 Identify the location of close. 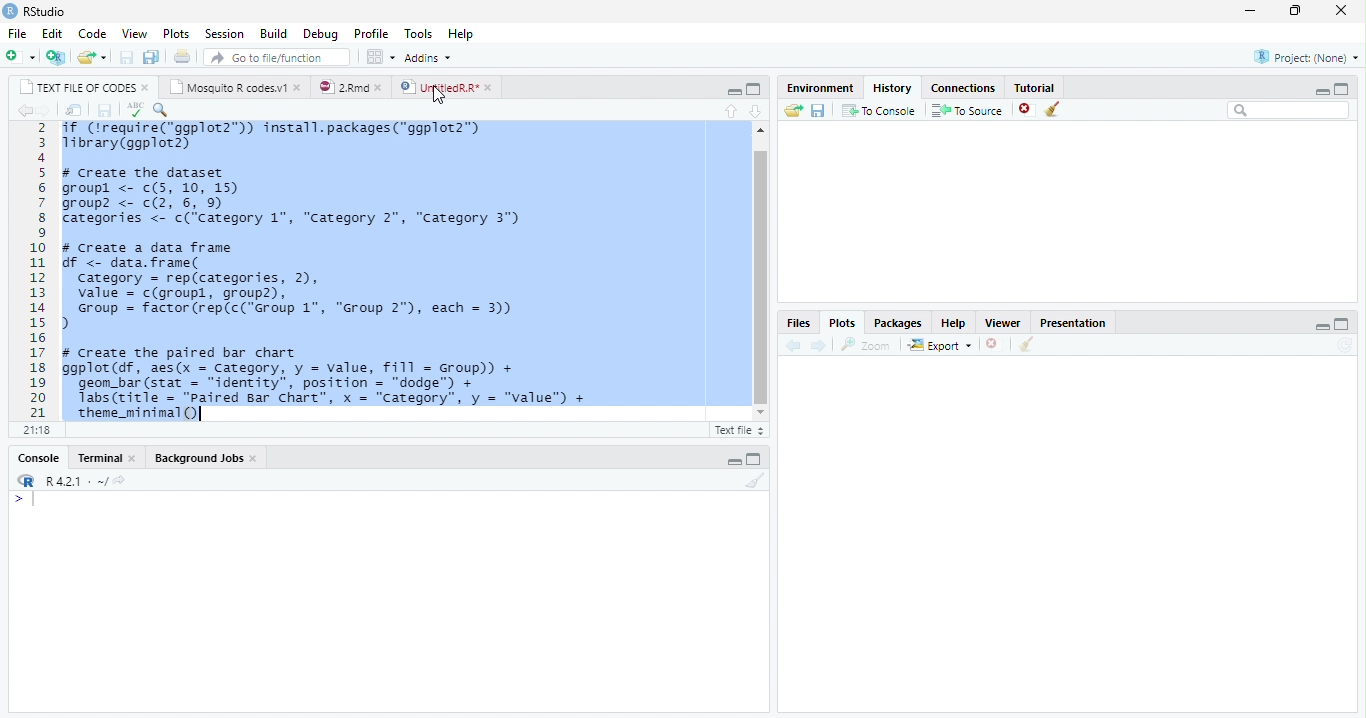
(254, 459).